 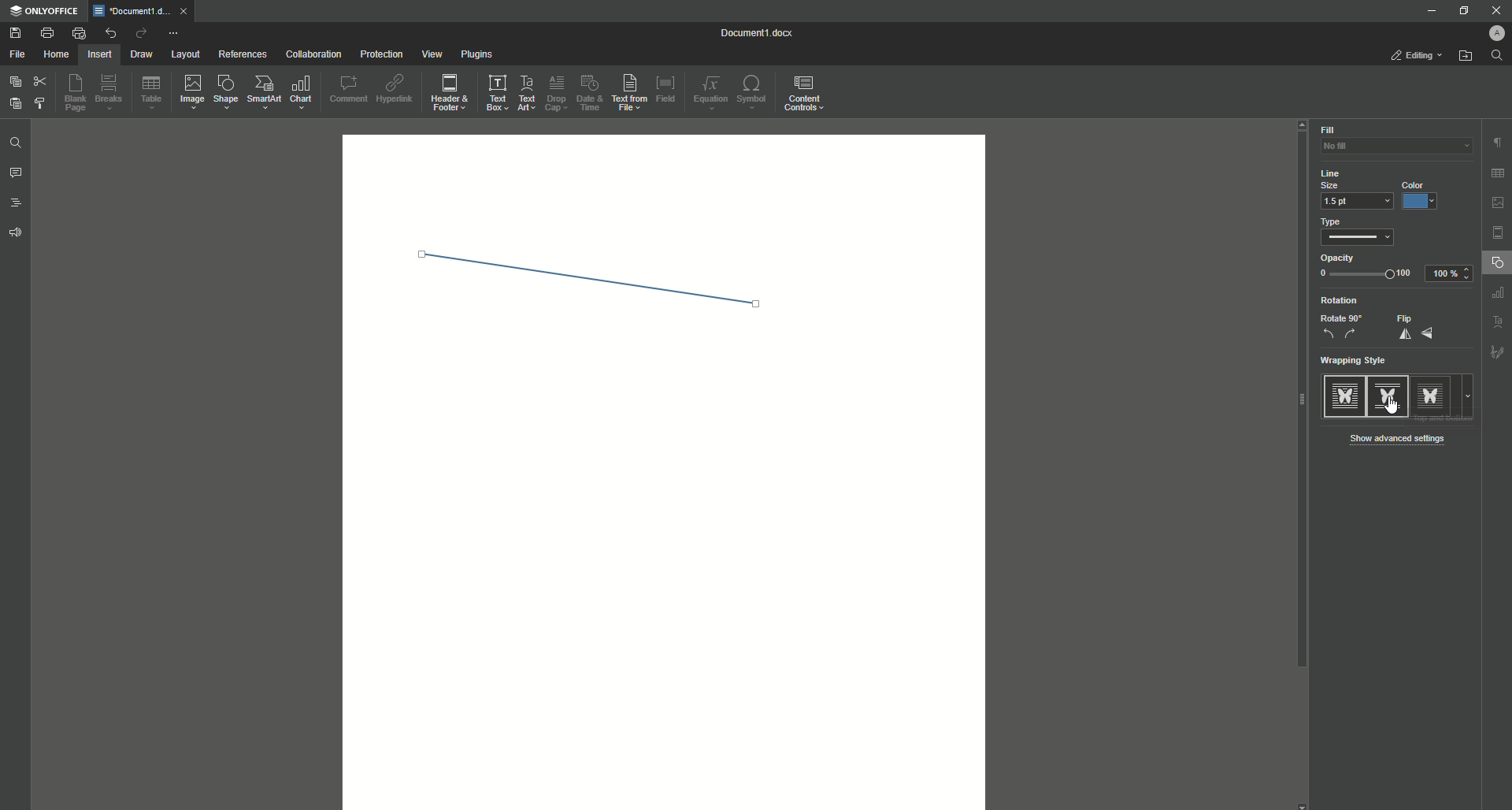 What do you see at coordinates (184, 55) in the screenshot?
I see `Layout` at bounding box center [184, 55].